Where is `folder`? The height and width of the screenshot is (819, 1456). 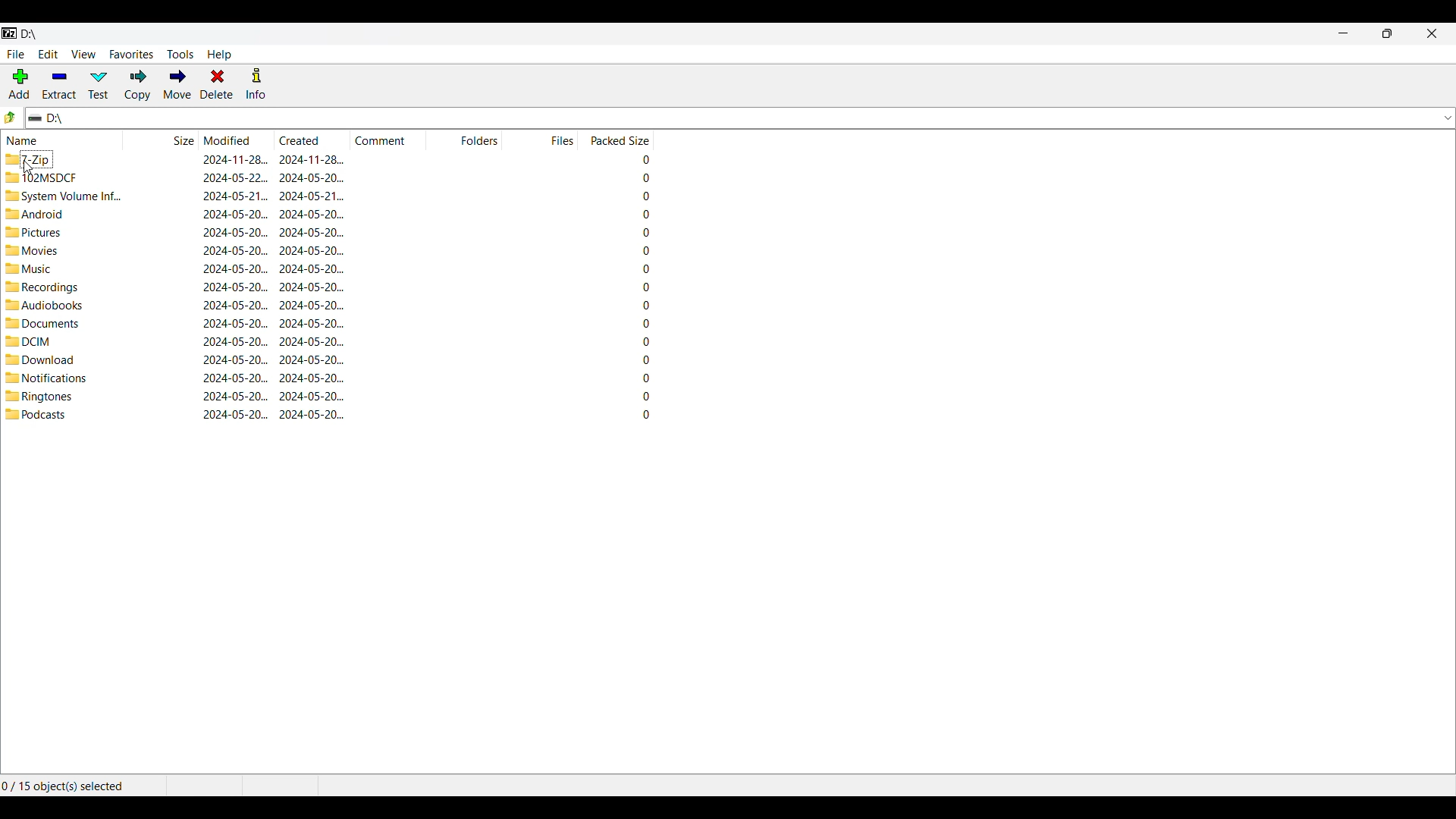
folder is located at coordinates (27, 268).